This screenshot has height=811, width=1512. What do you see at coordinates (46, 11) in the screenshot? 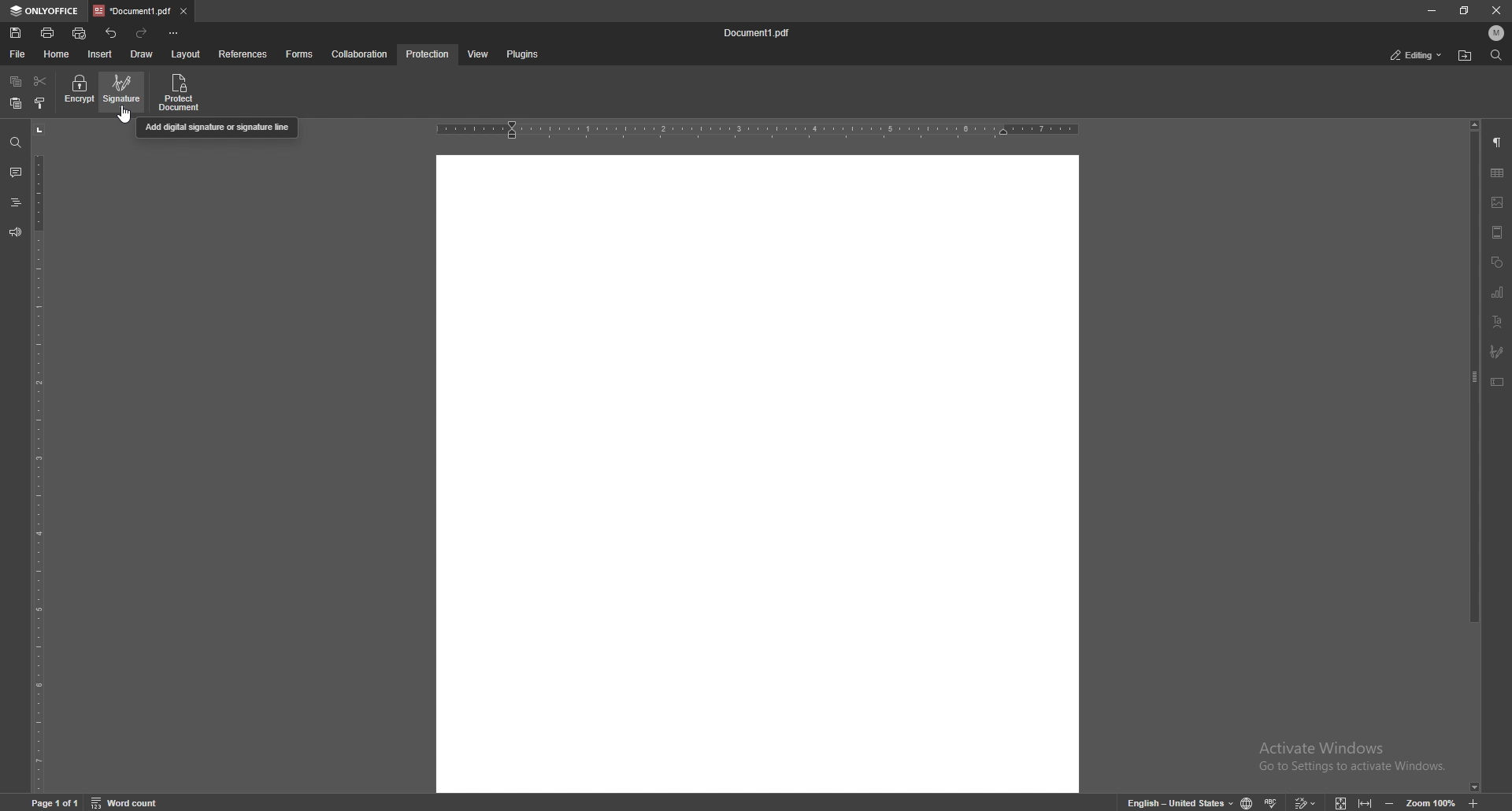
I see `onlyoffice` at bounding box center [46, 11].